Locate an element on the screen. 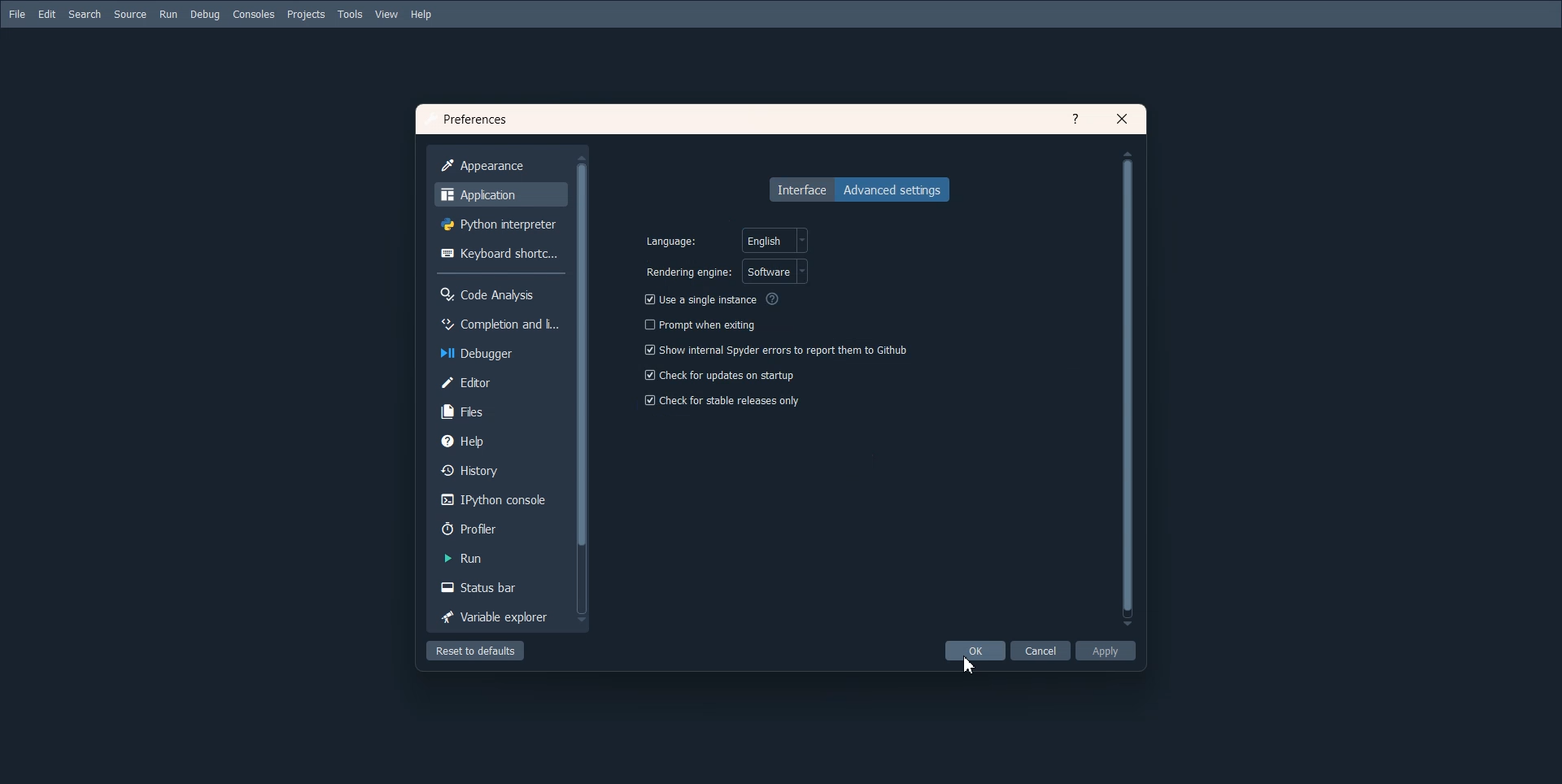 The height and width of the screenshot is (784, 1562). Help is located at coordinates (422, 15).